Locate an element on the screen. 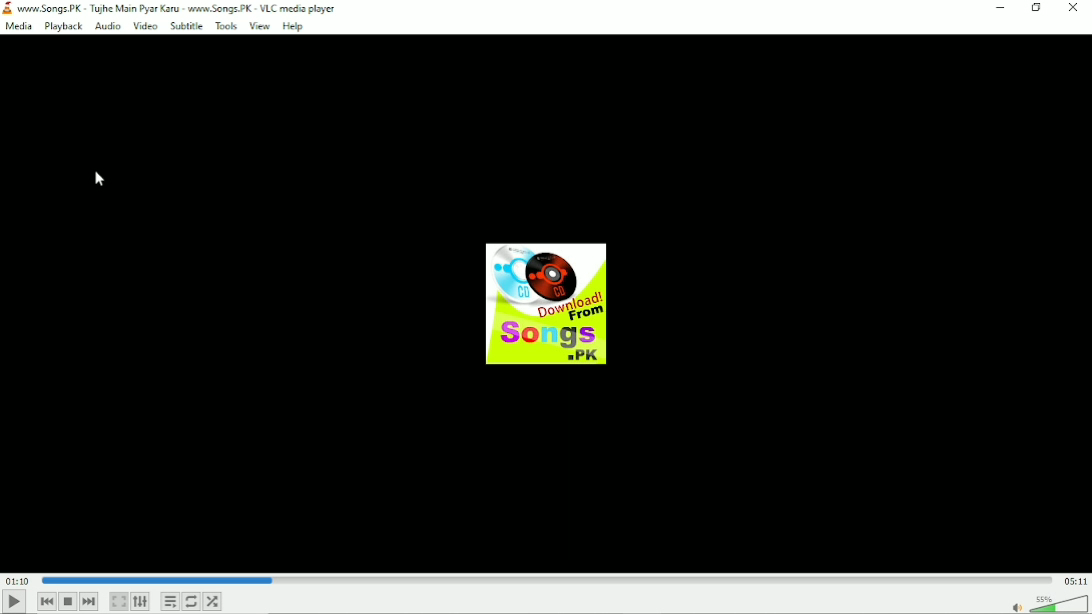 The height and width of the screenshot is (614, 1092). Random is located at coordinates (212, 602).